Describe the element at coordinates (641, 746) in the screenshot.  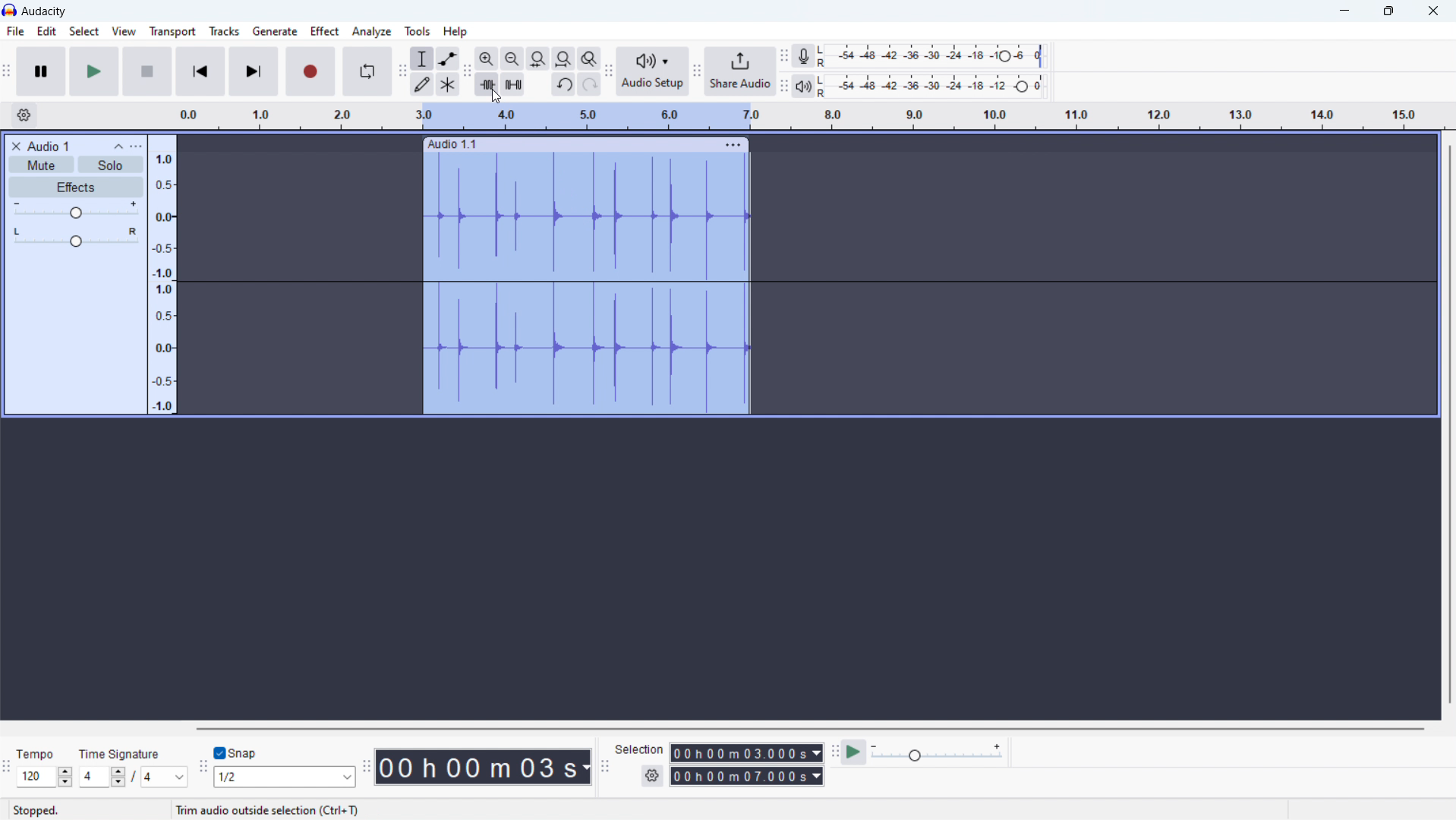
I see `Selection` at that location.